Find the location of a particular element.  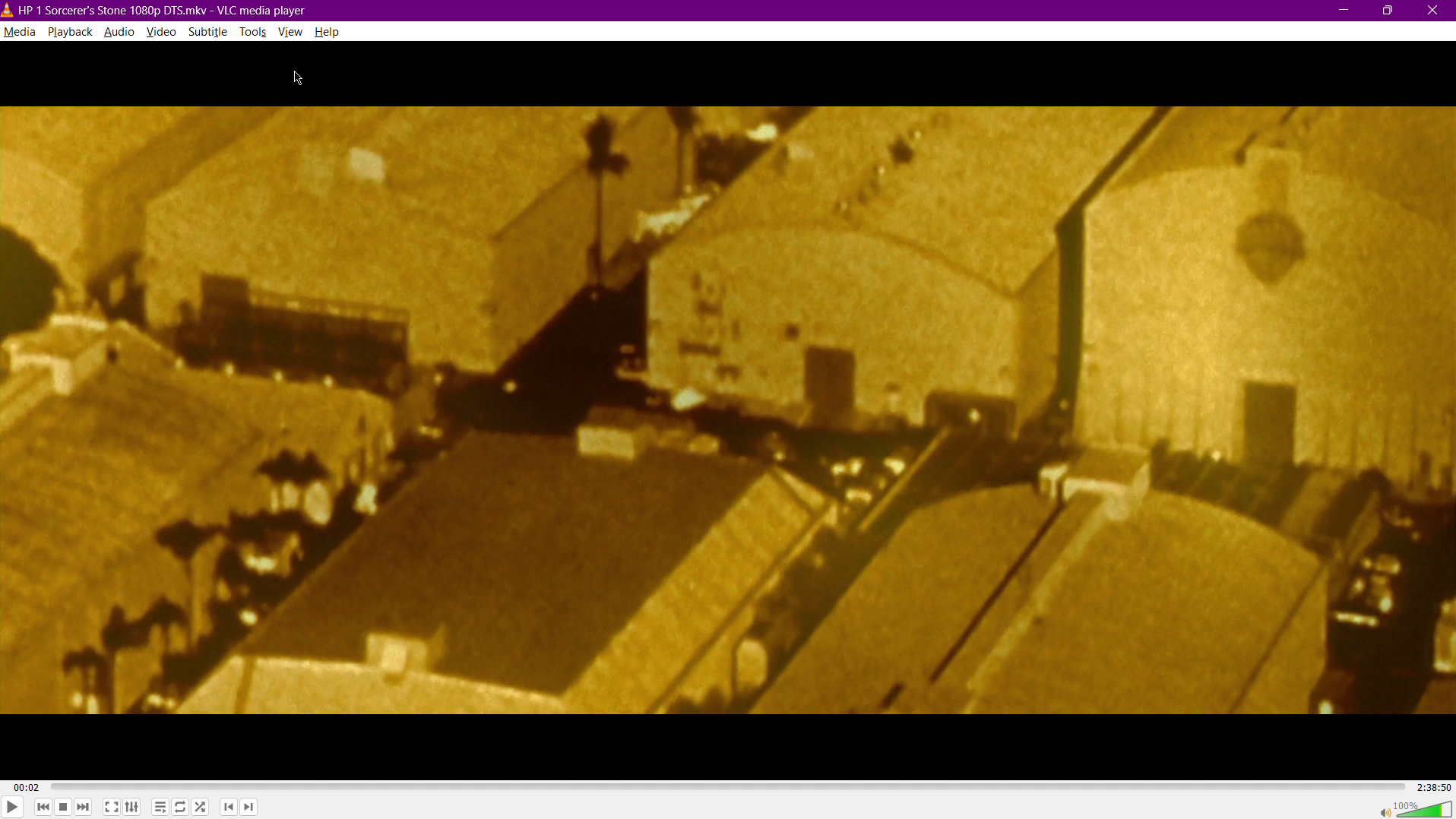

Playback is located at coordinates (70, 32).